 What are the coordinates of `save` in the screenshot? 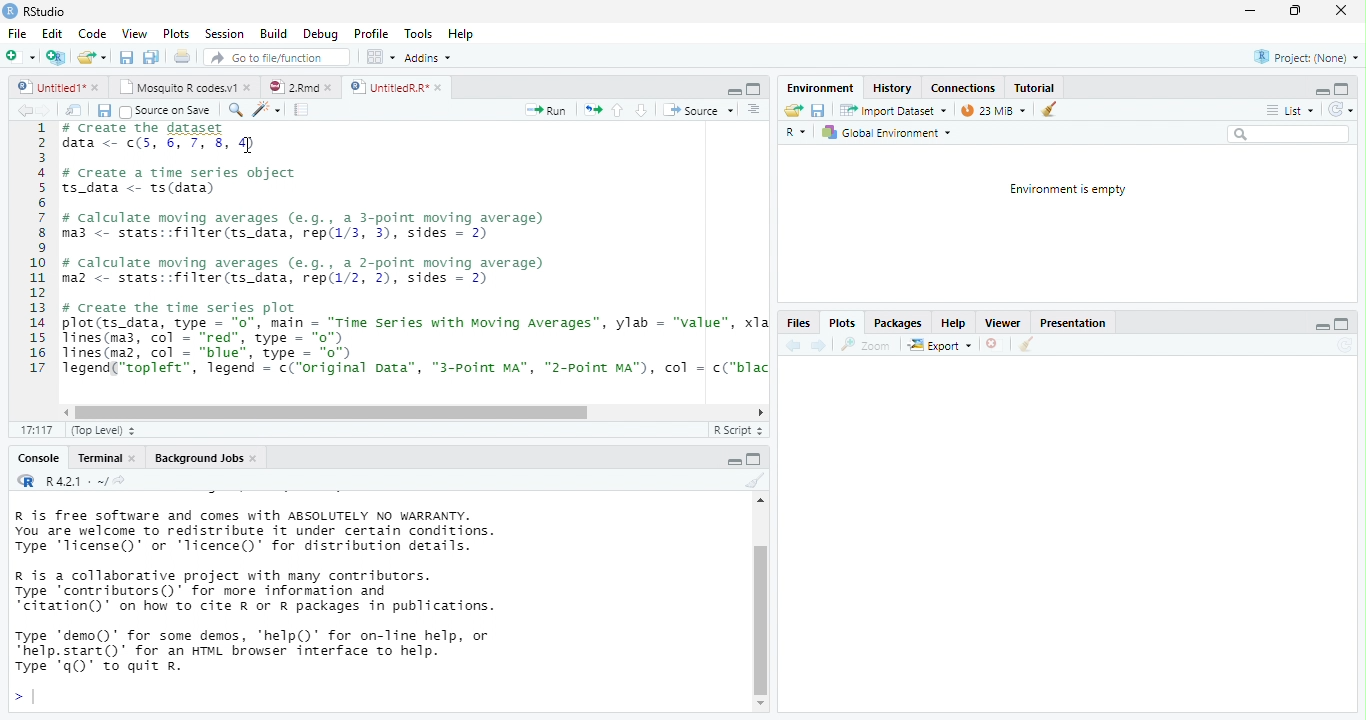 It's located at (103, 111).